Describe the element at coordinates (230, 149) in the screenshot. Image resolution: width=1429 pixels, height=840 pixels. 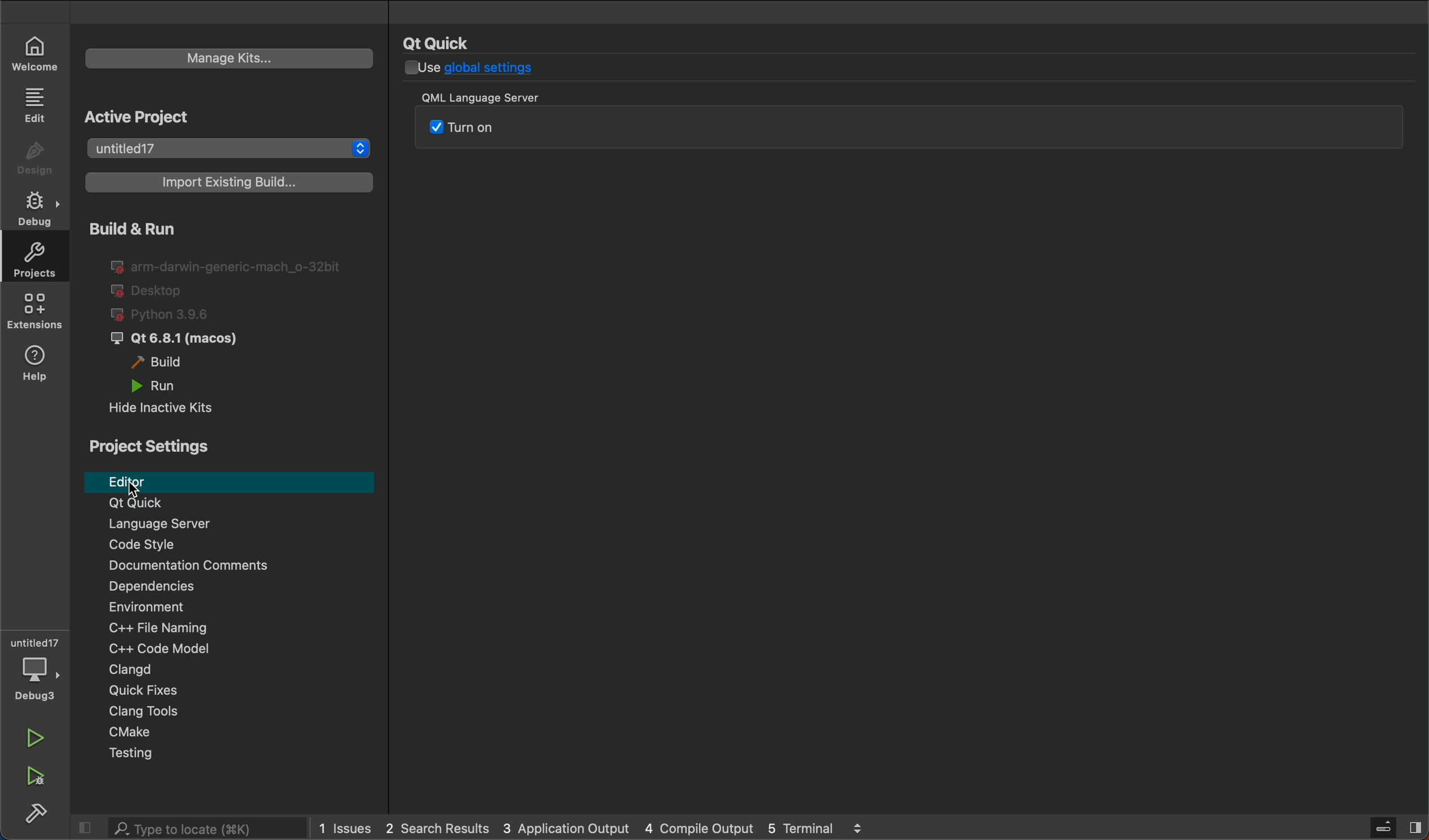
I see `select project` at that location.